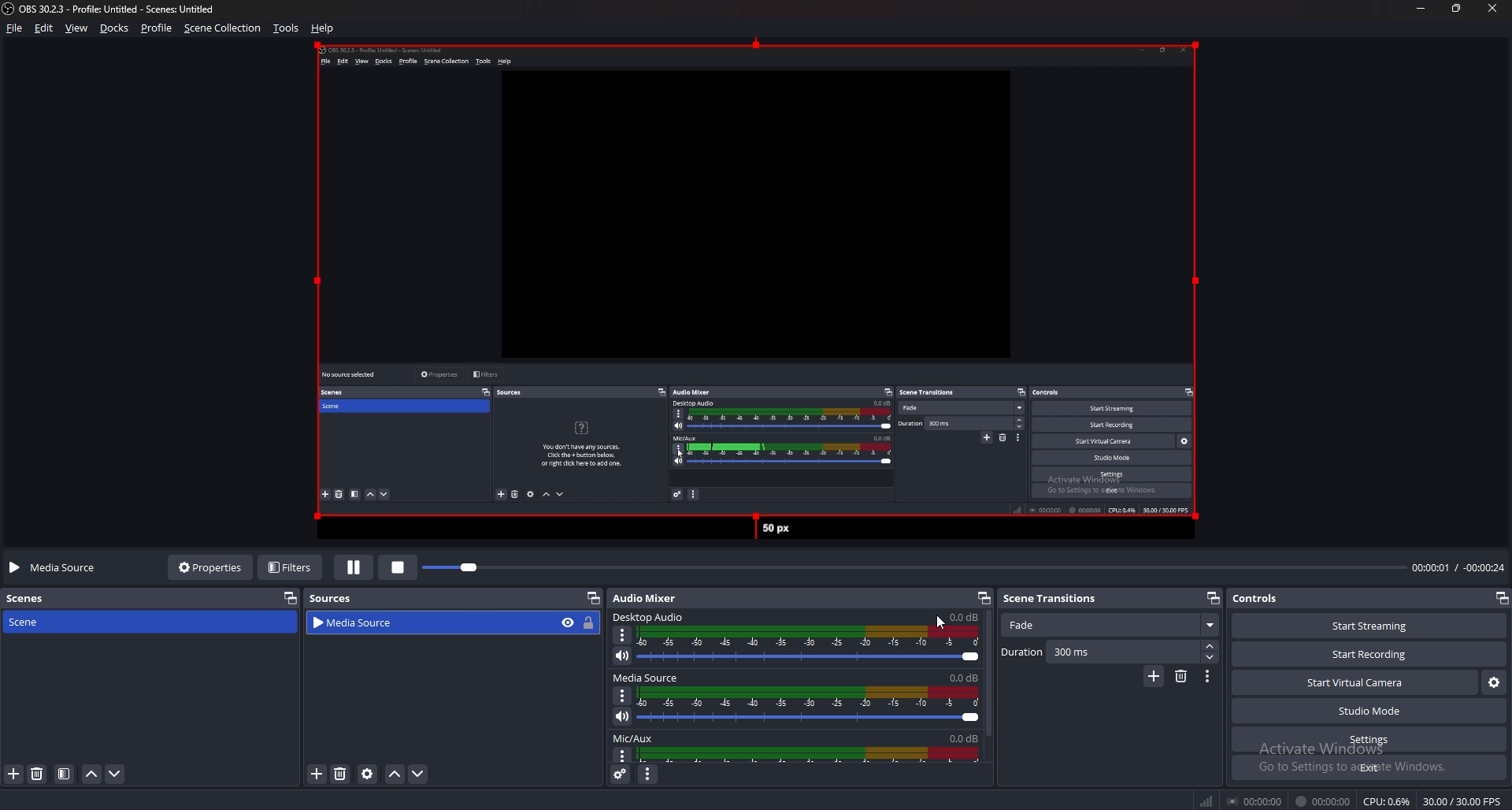  I want to click on Move sources up, so click(395, 775).